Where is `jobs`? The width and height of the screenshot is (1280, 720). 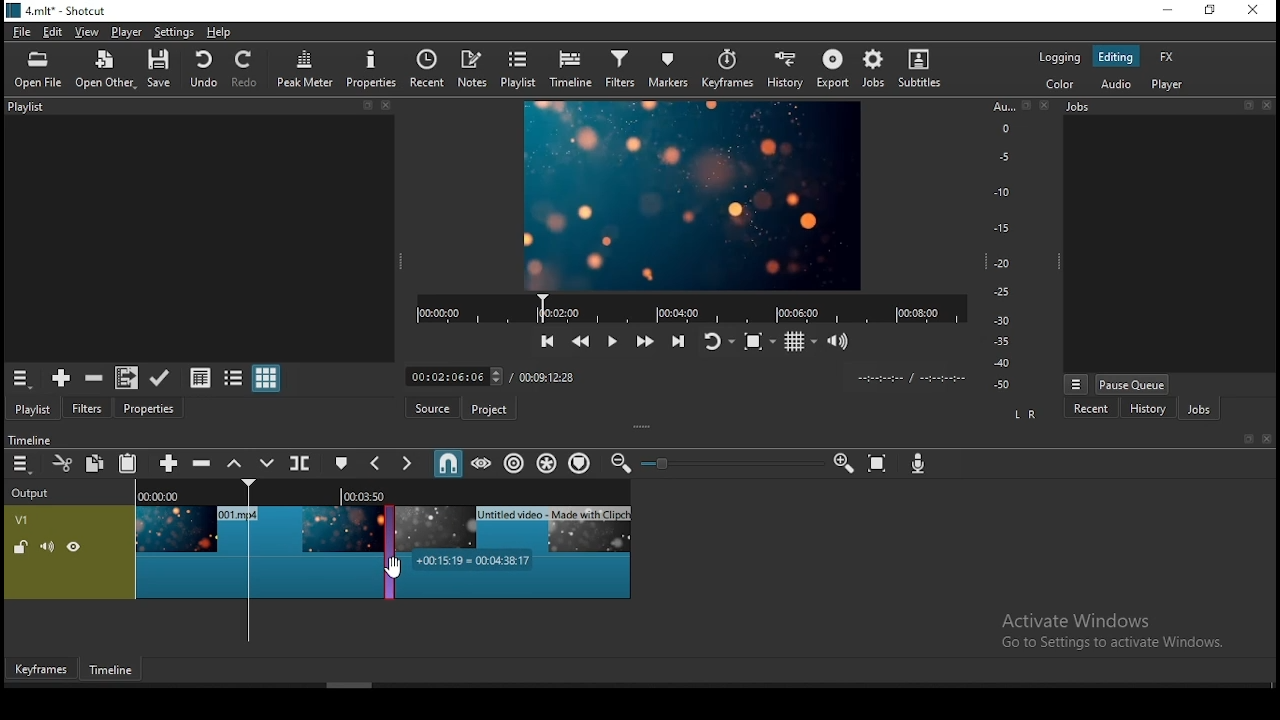
jobs is located at coordinates (1199, 409).